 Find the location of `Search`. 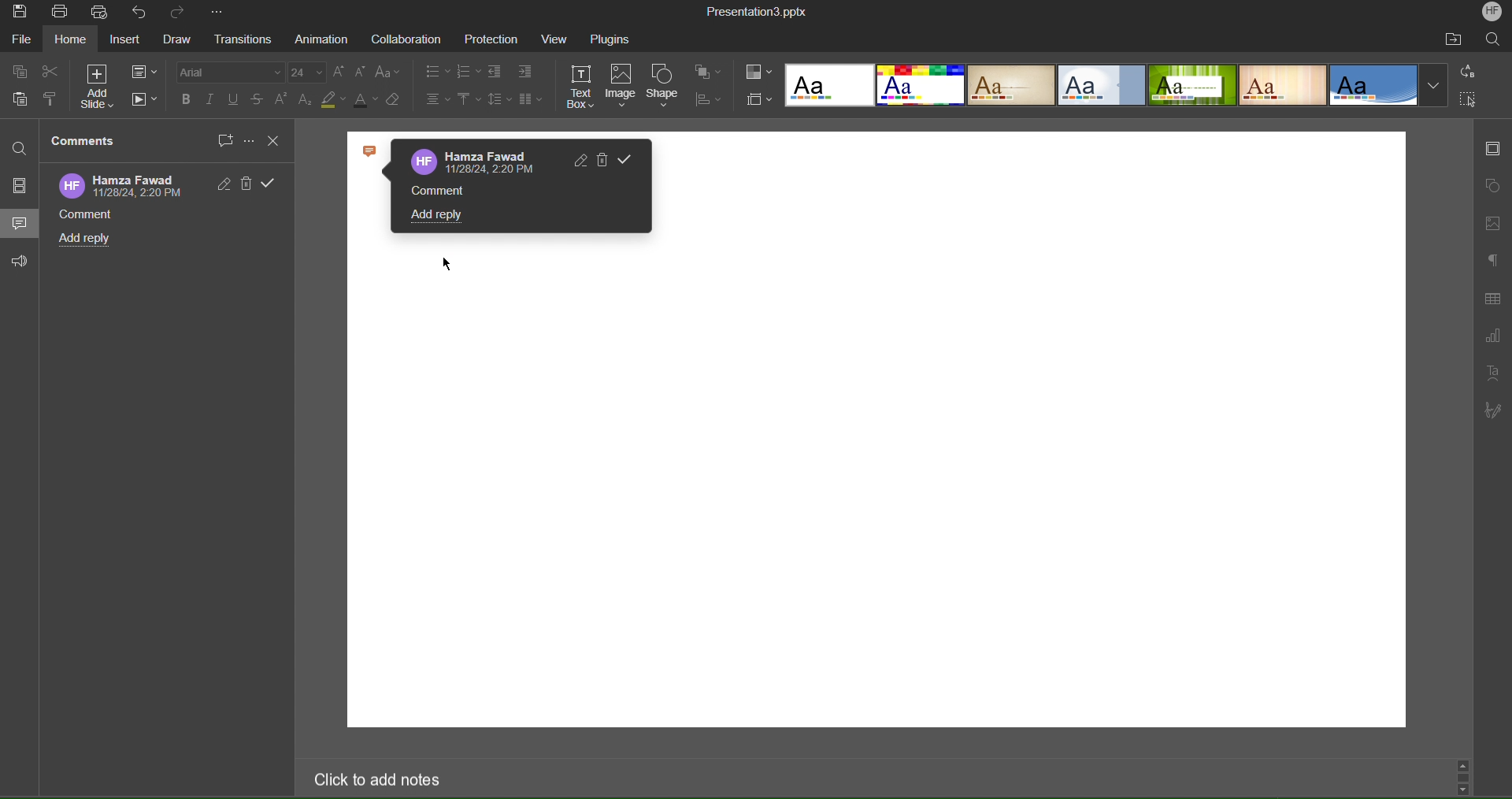

Search is located at coordinates (1494, 40).